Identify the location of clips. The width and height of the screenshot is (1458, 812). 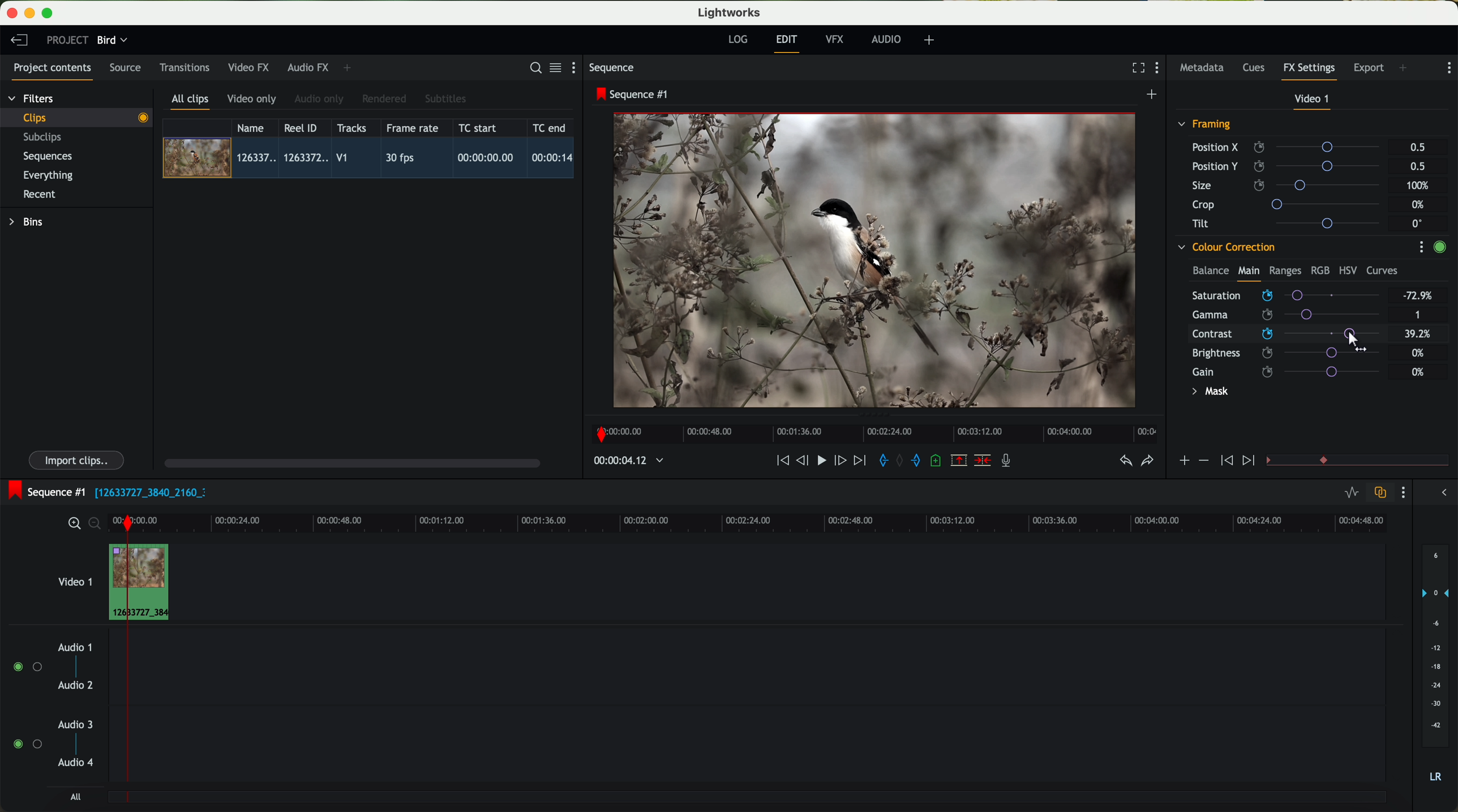
(77, 117).